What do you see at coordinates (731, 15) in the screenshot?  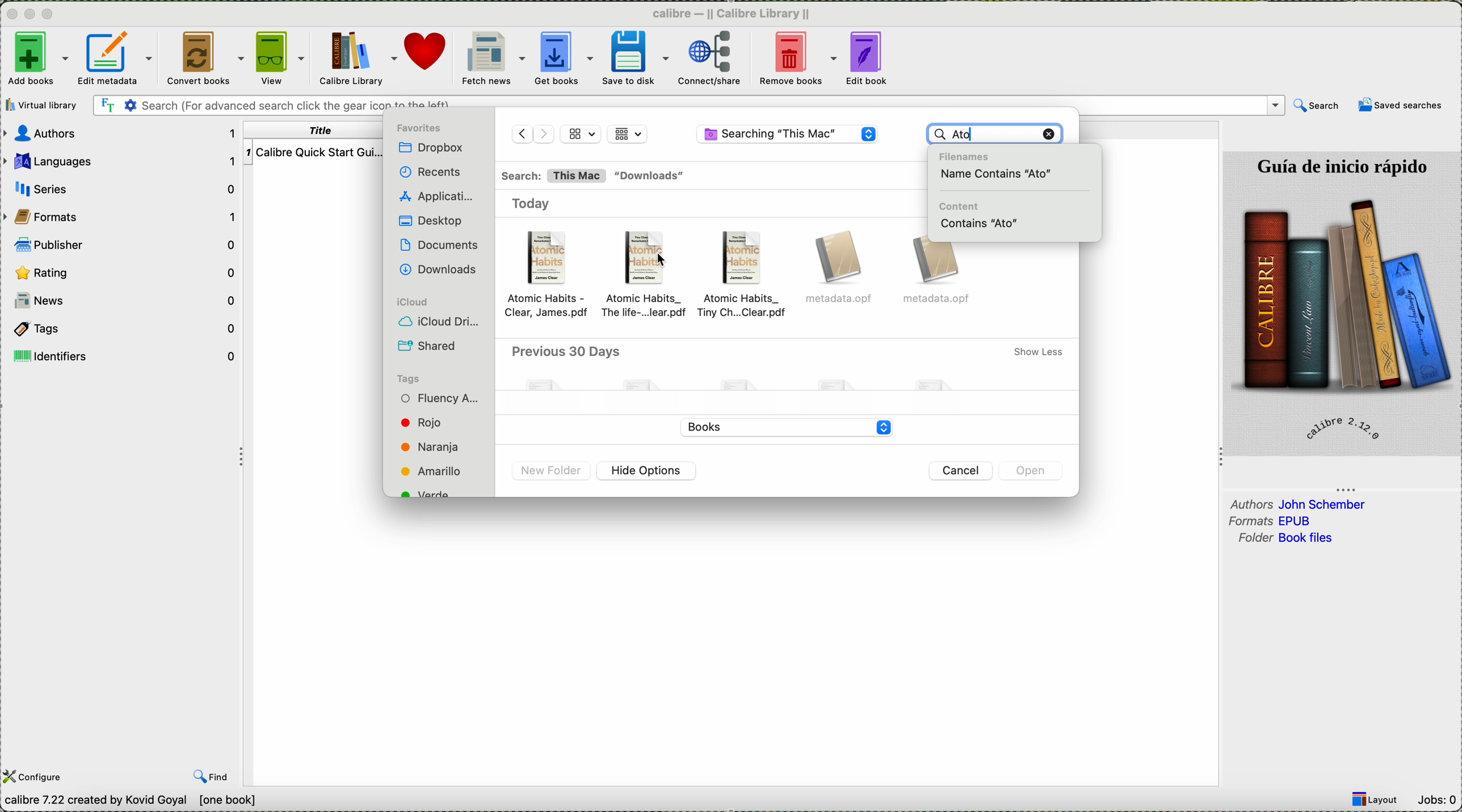 I see `Calibre` at bounding box center [731, 15].